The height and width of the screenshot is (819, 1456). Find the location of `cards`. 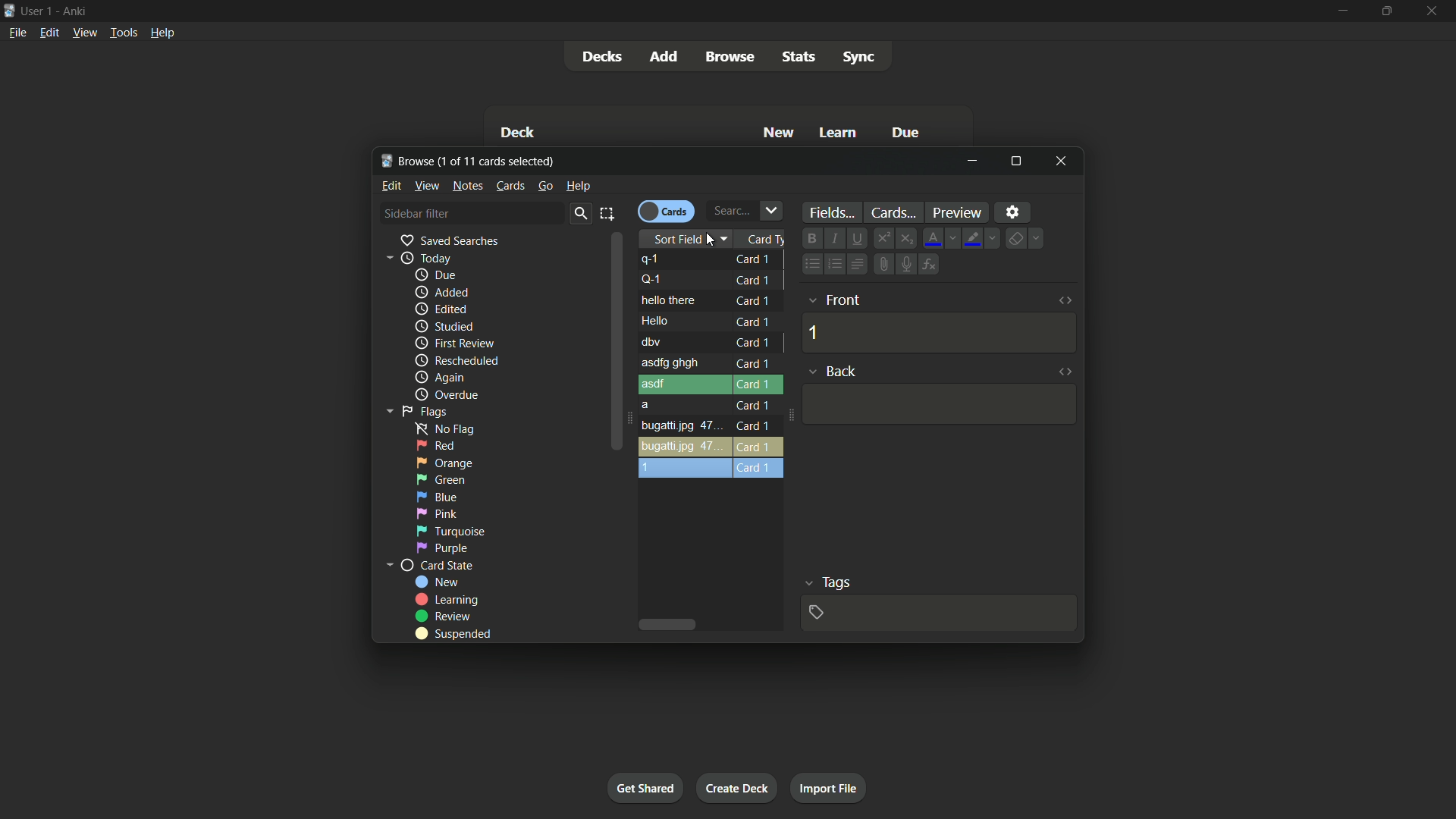

cards is located at coordinates (892, 212).